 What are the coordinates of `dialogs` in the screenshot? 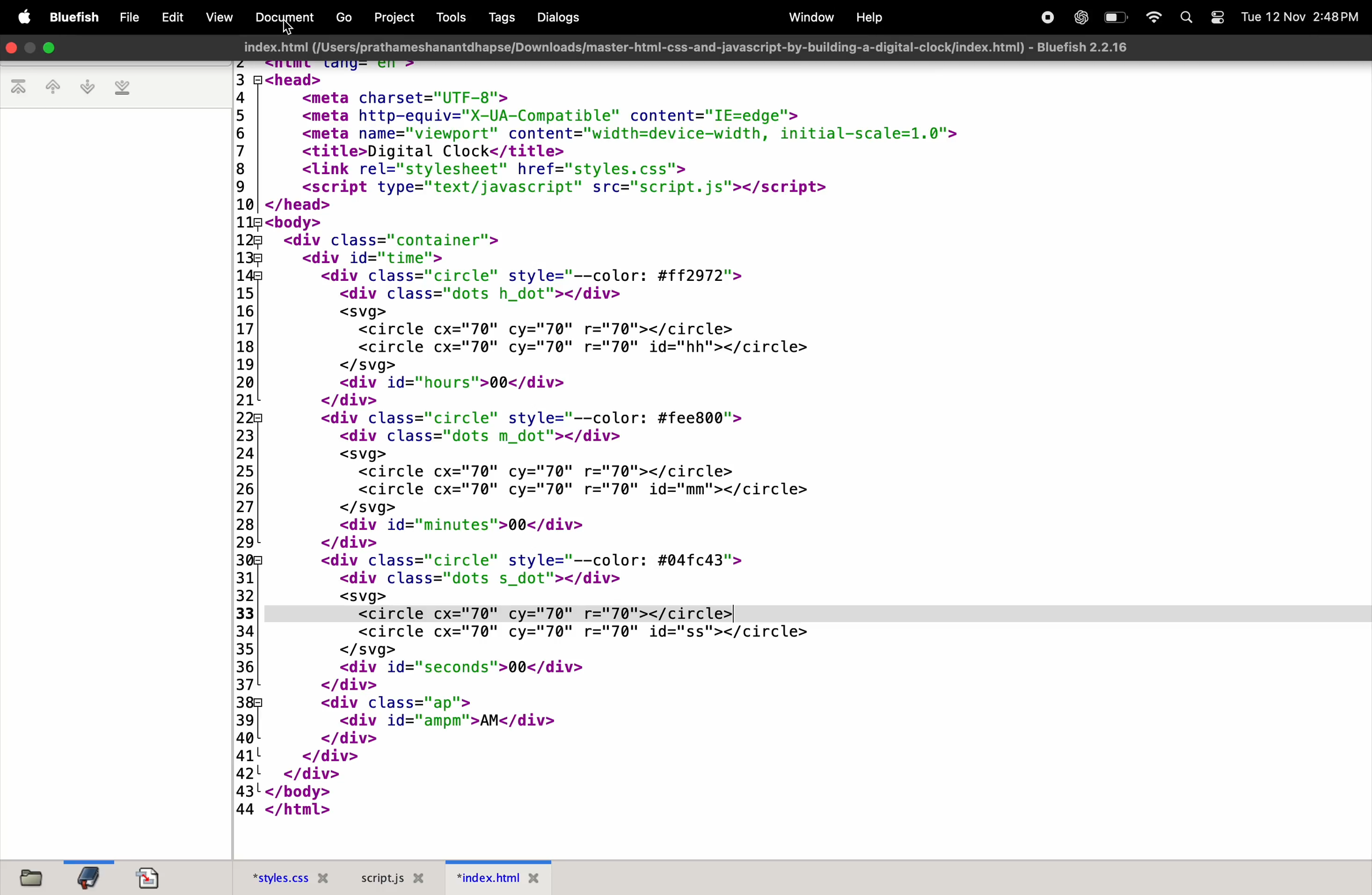 It's located at (559, 18).